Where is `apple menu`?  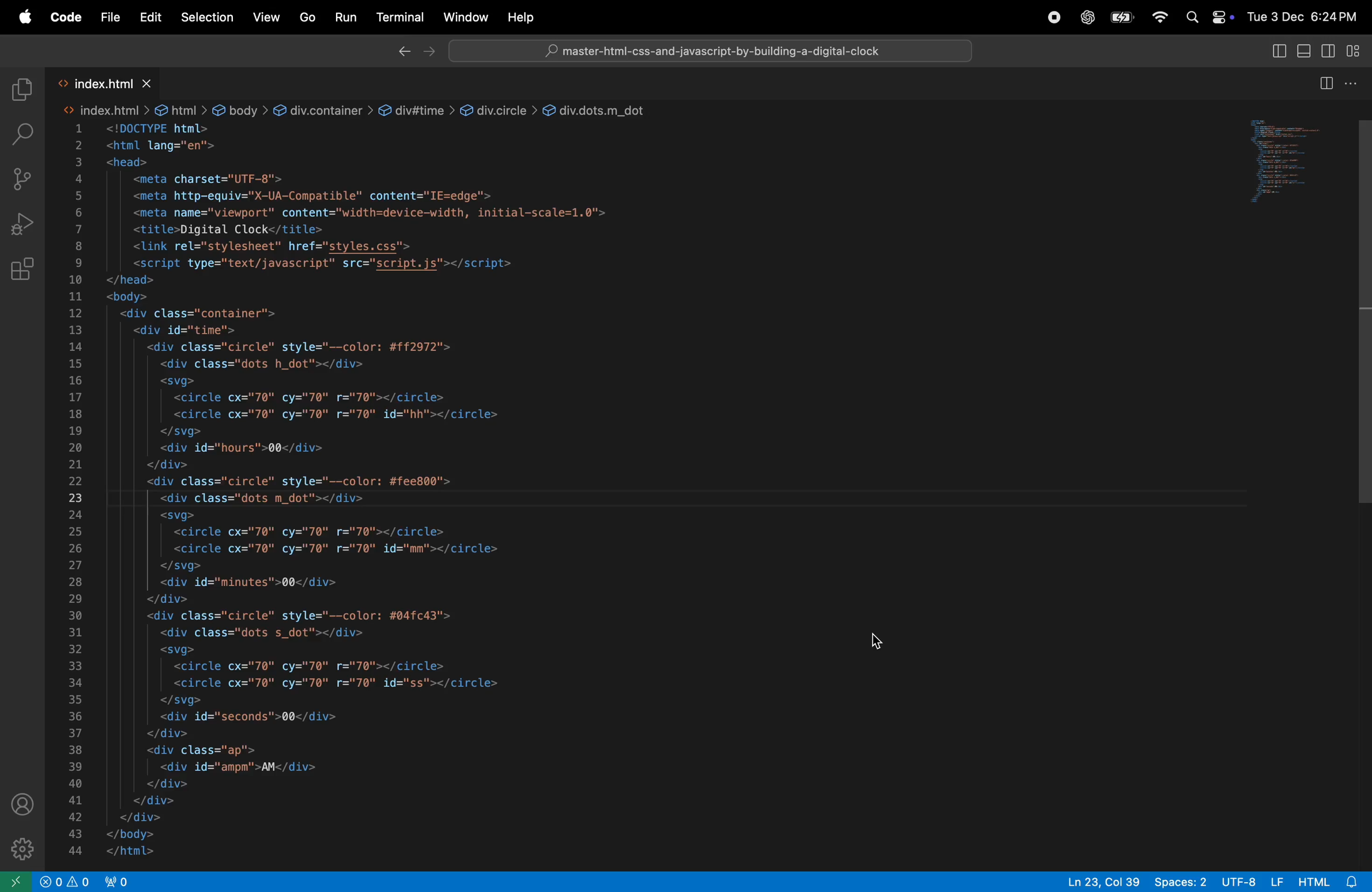 apple menu is located at coordinates (1124, 18).